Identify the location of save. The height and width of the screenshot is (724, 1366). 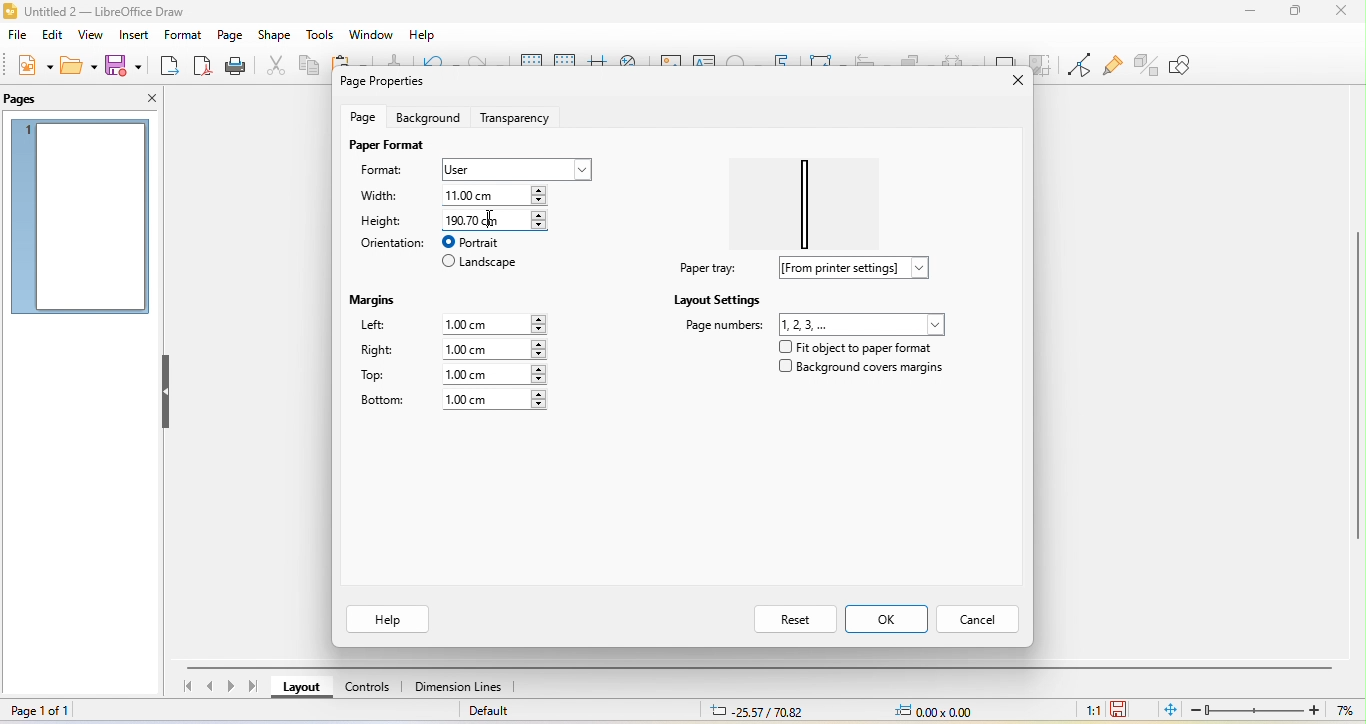
(127, 64).